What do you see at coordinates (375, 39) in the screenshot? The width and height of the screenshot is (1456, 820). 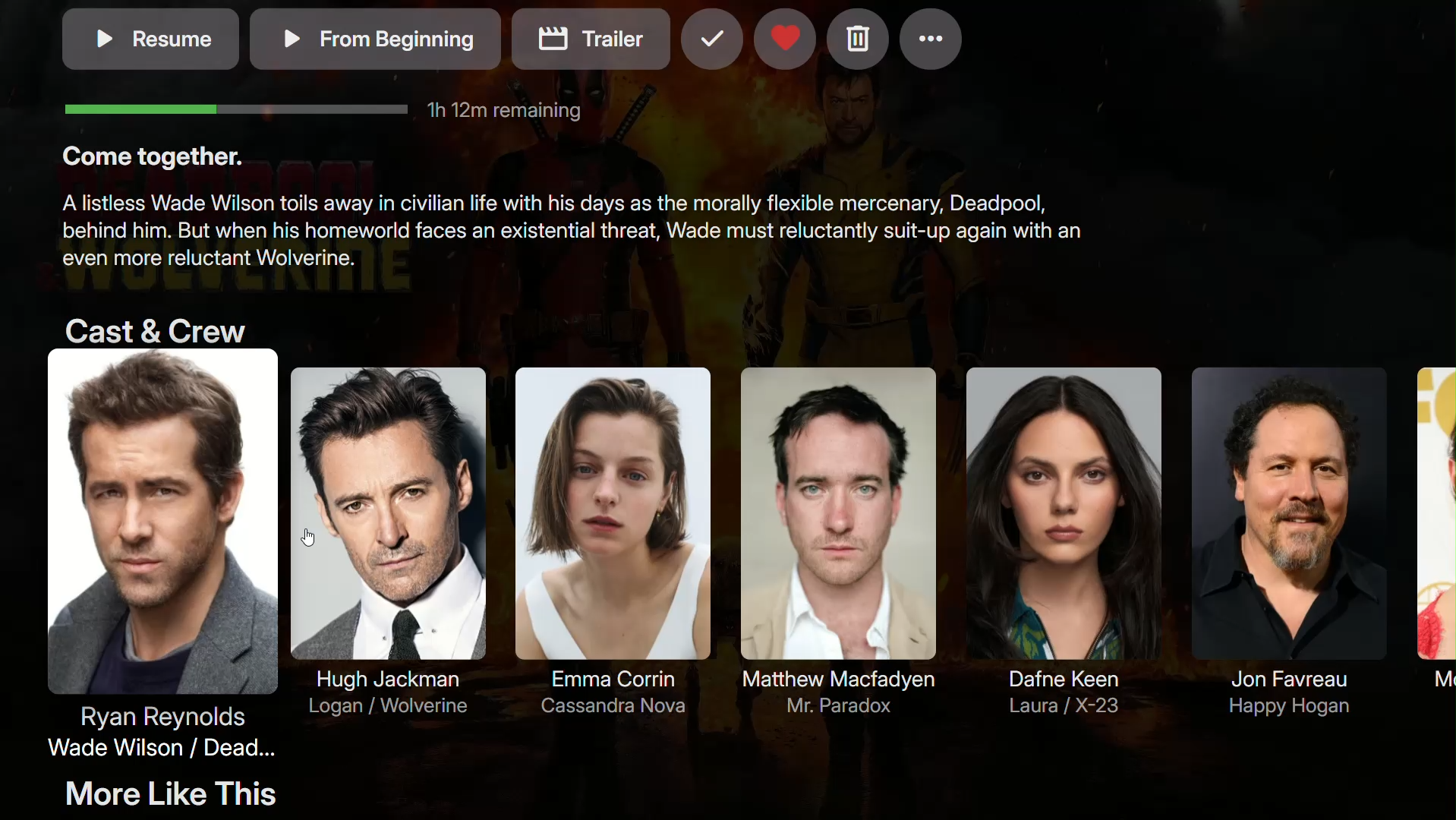 I see `From Beginning` at bounding box center [375, 39].